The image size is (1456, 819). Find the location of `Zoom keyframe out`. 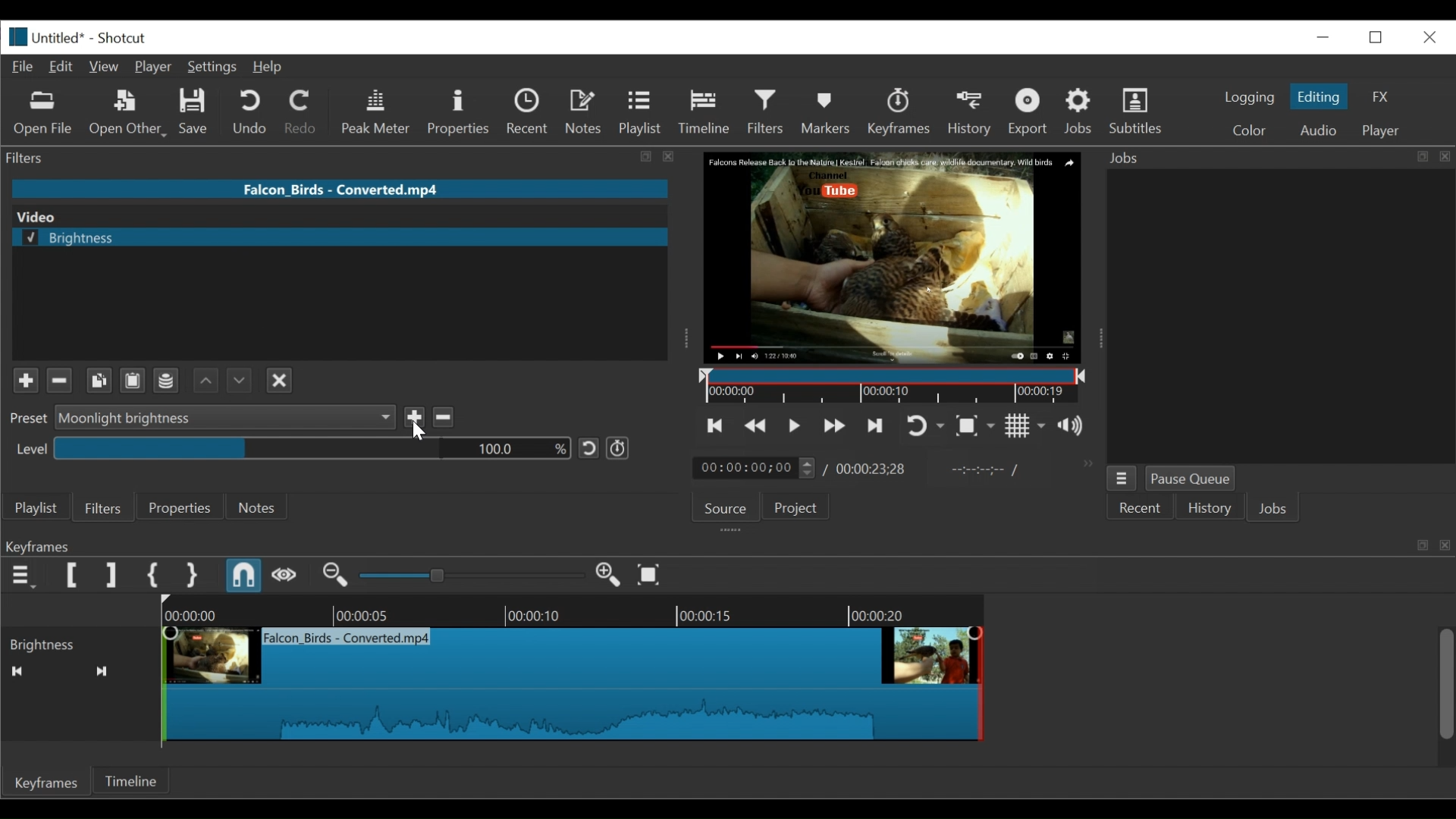

Zoom keyframe out is located at coordinates (335, 576).